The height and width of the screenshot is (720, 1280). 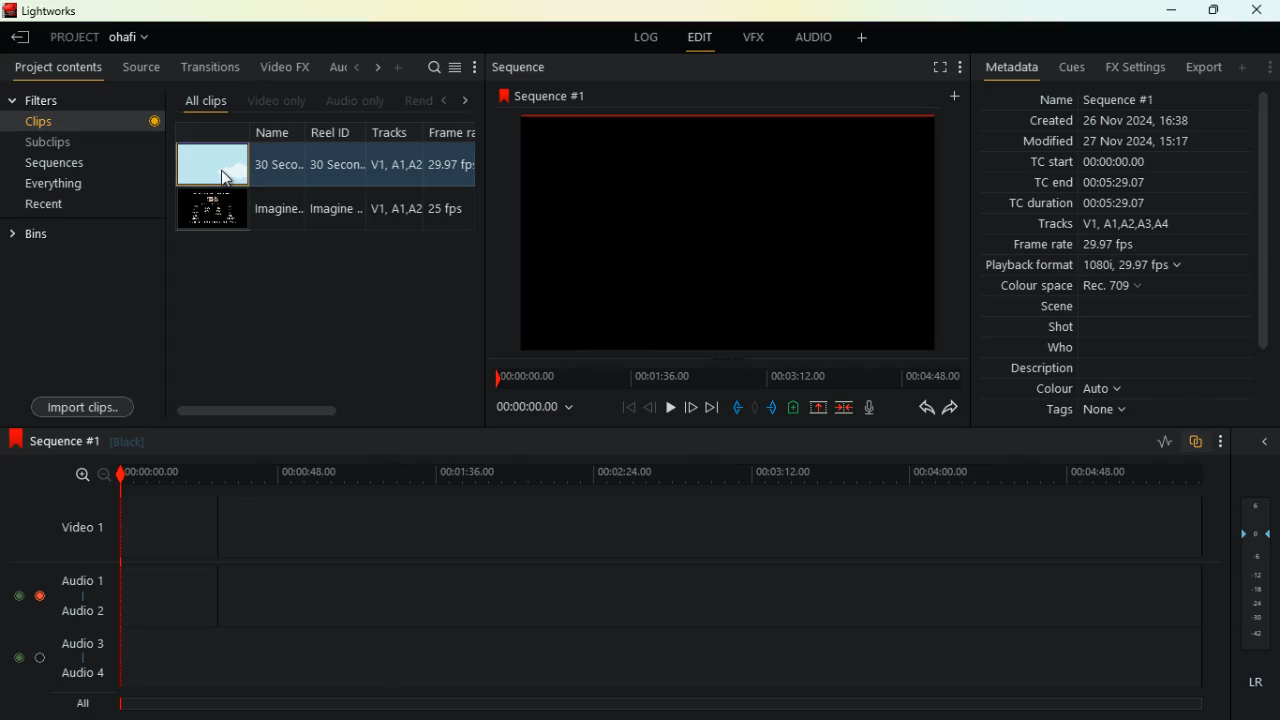 What do you see at coordinates (1157, 443) in the screenshot?
I see `rate` at bounding box center [1157, 443].